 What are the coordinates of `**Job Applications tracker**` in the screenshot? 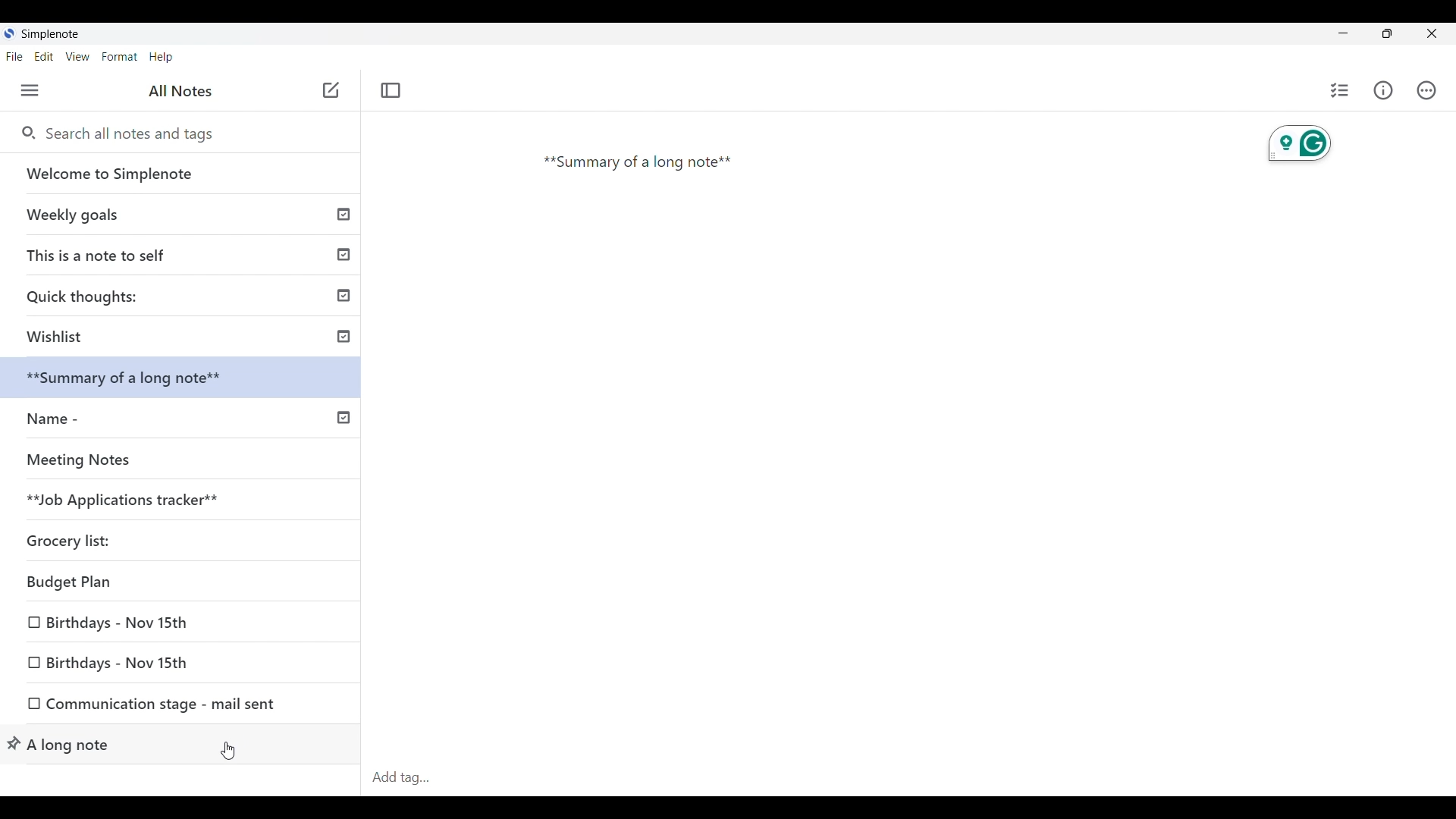 It's located at (123, 497).